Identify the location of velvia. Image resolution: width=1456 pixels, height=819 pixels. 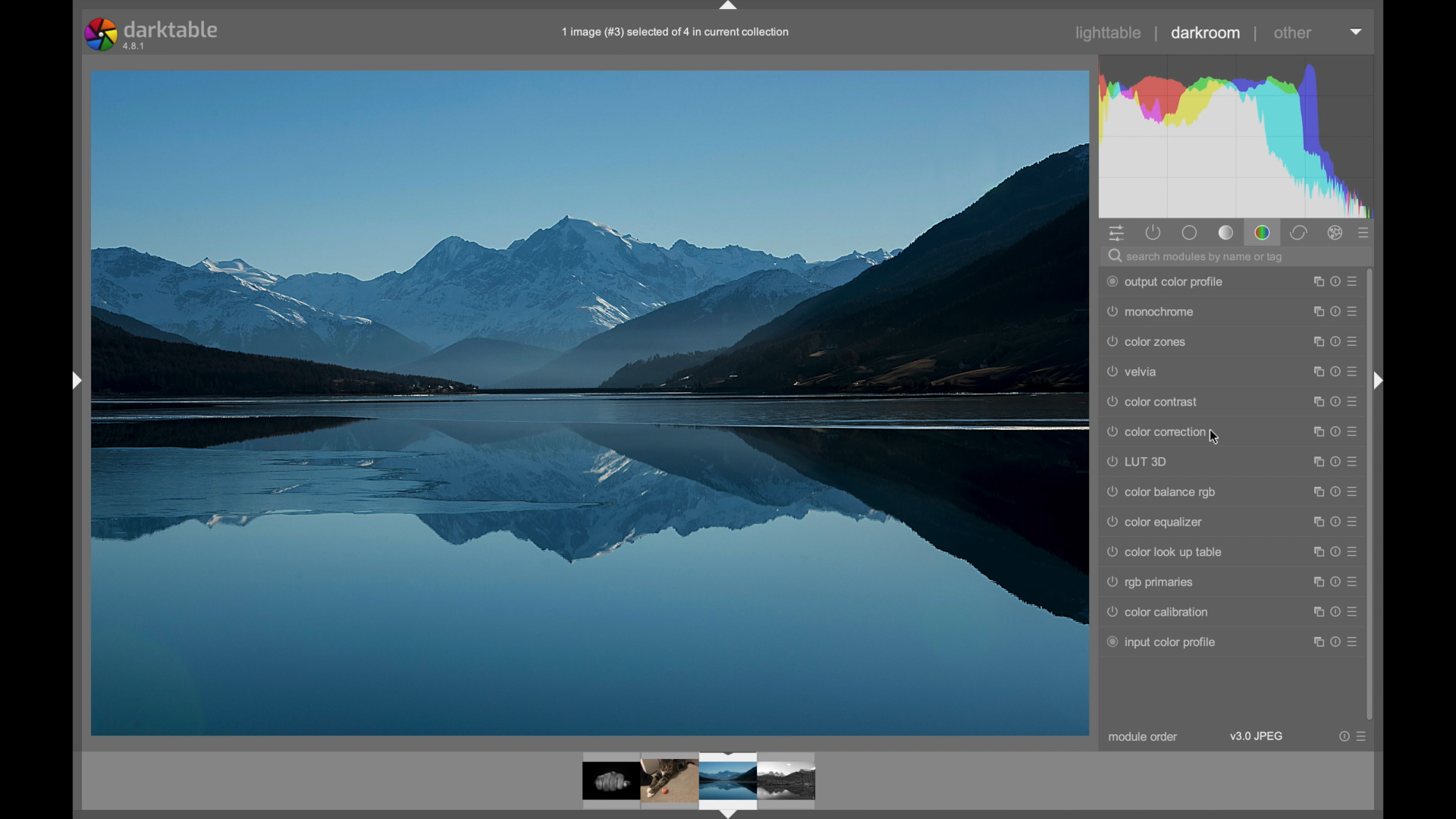
(1134, 371).